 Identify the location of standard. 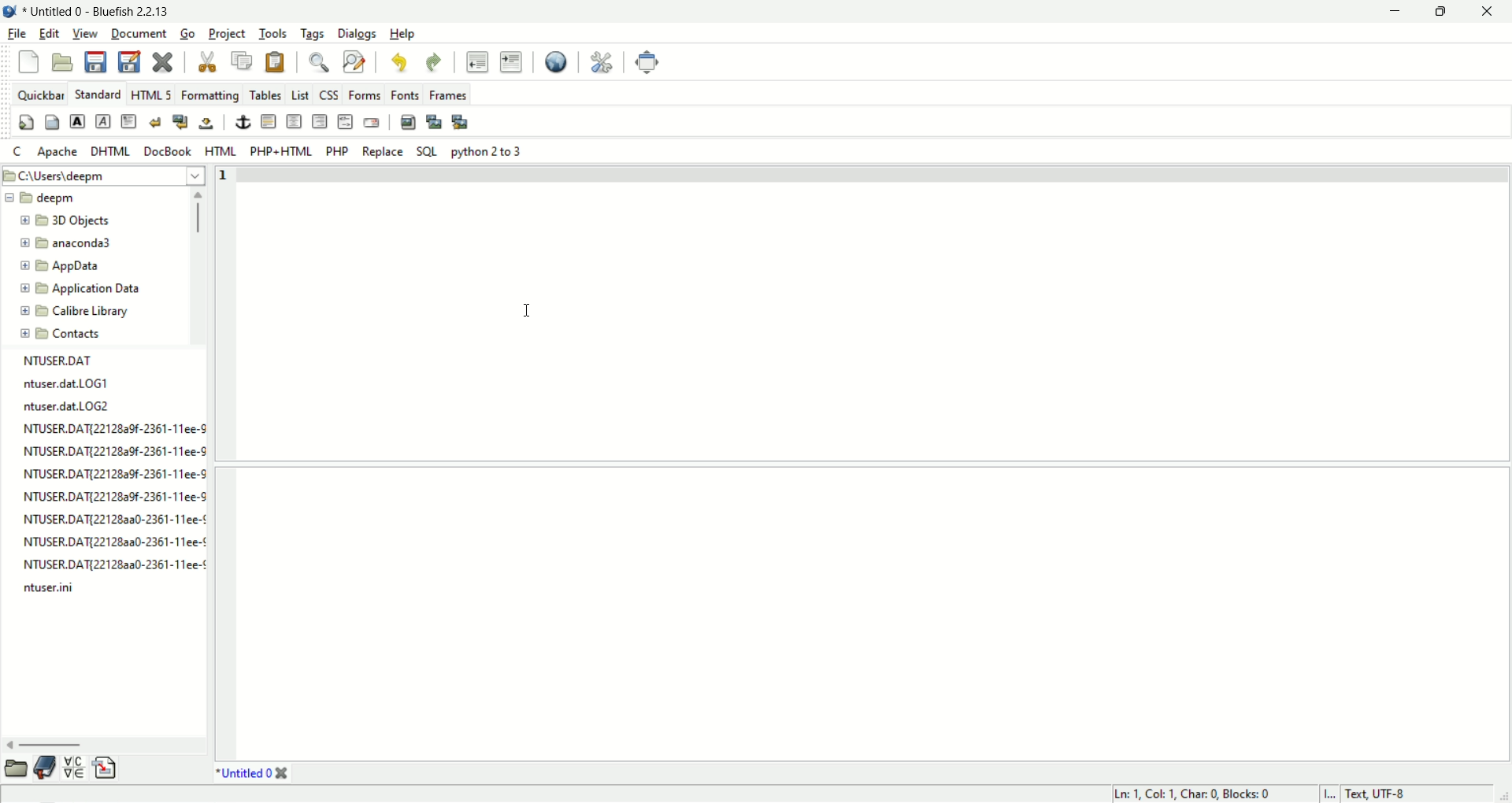
(98, 94).